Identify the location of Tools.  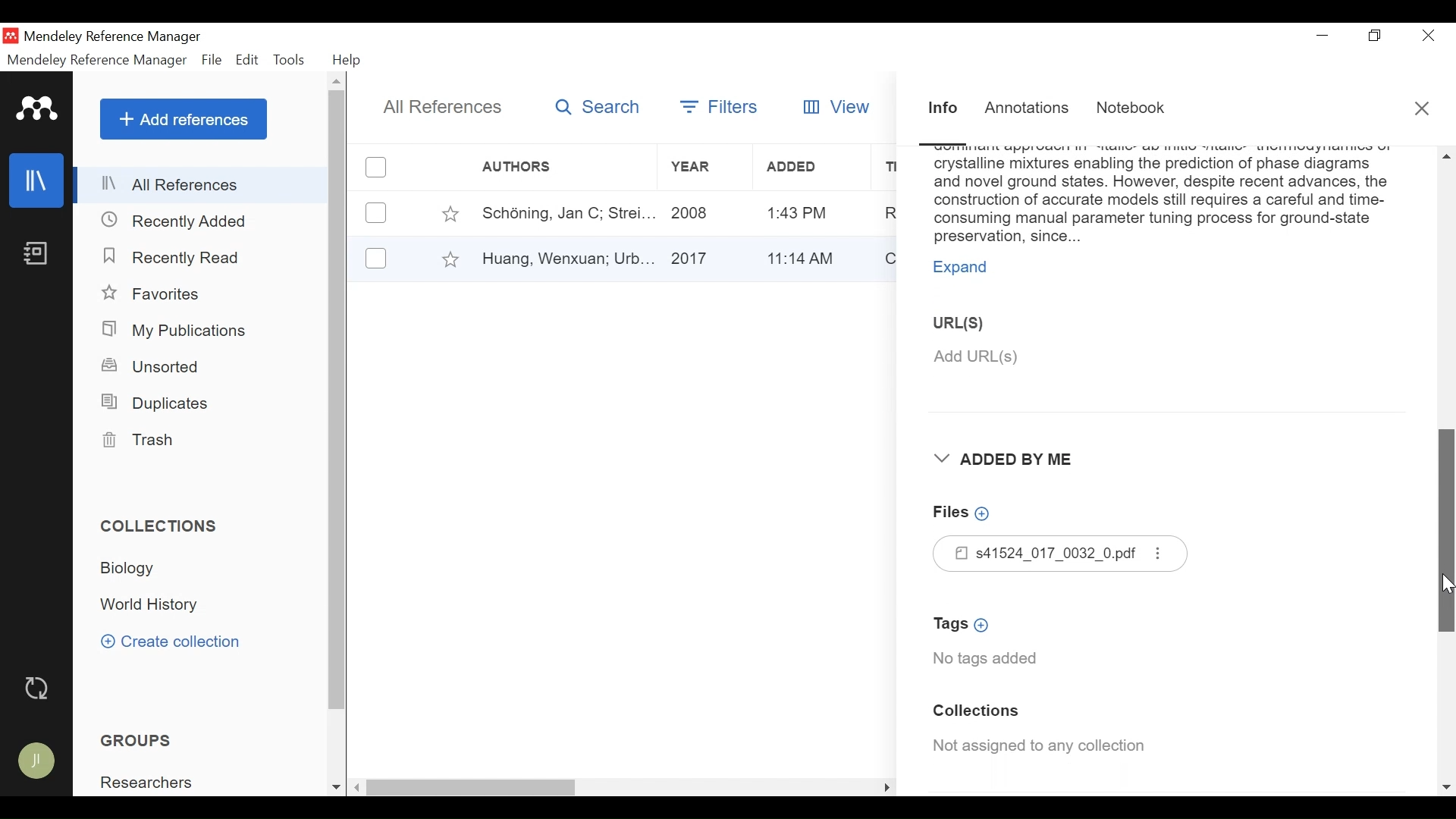
(289, 60).